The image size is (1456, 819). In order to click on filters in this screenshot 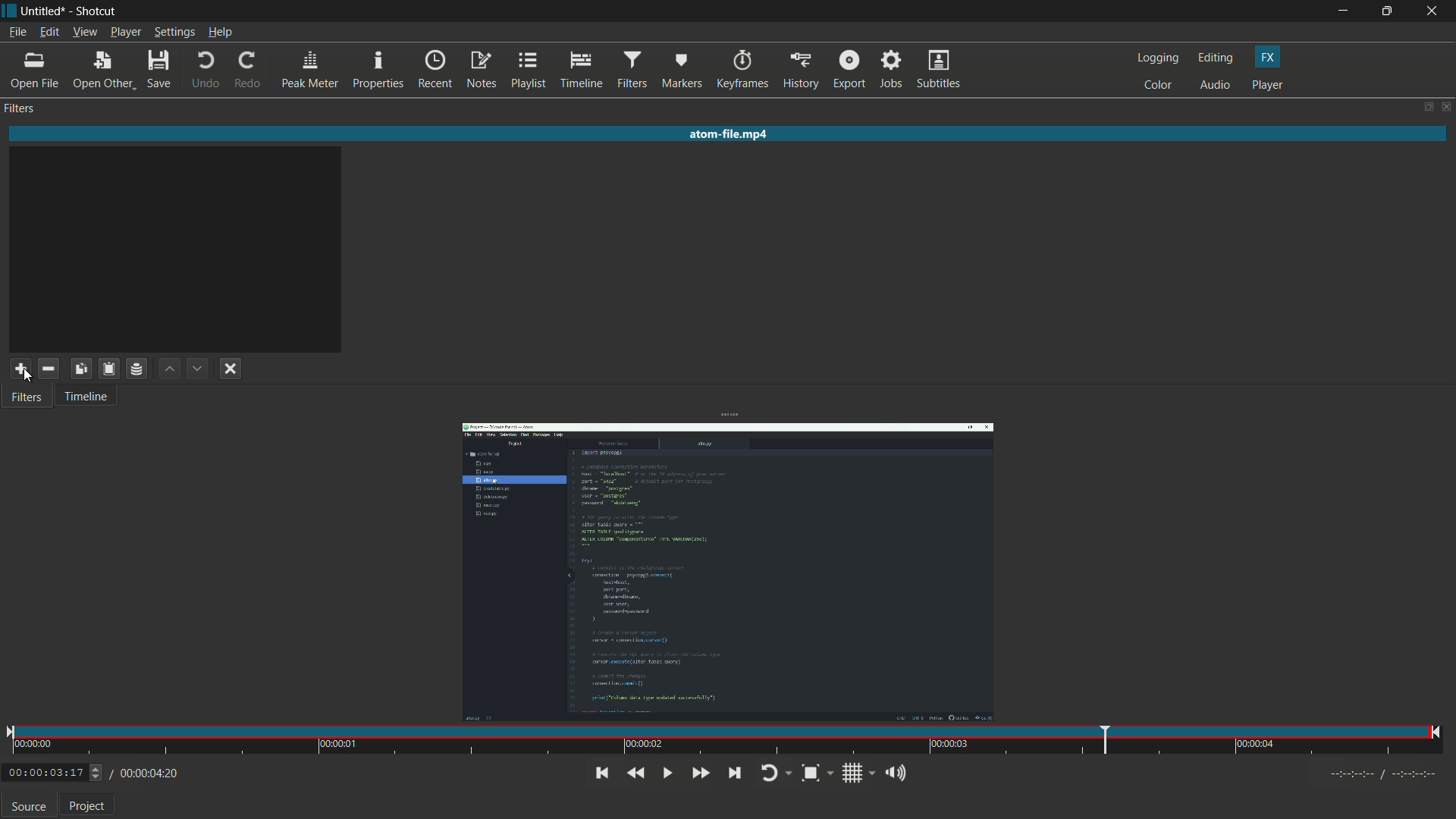, I will do `click(632, 71)`.